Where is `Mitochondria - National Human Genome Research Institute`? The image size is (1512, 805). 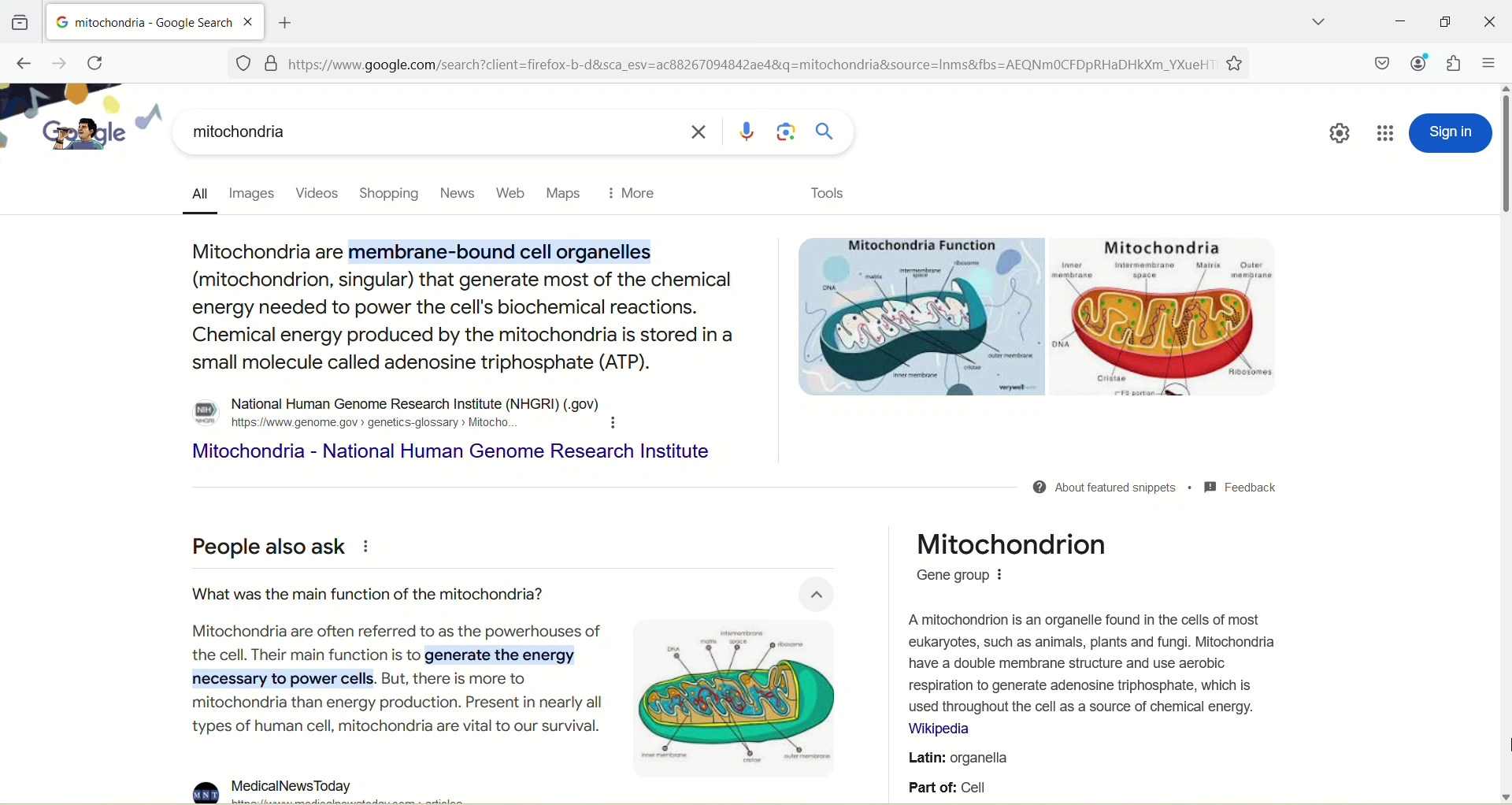
Mitochondria - National Human Genome Research Institute is located at coordinates (450, 452).